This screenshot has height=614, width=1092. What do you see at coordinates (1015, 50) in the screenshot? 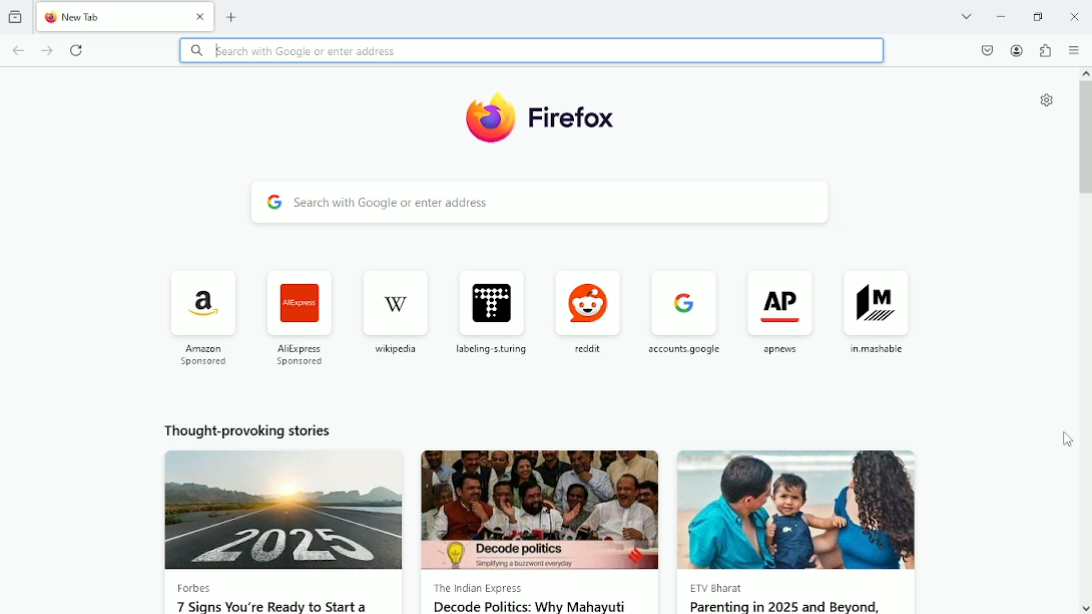
I see `account` at bounding box center [1015, 50].